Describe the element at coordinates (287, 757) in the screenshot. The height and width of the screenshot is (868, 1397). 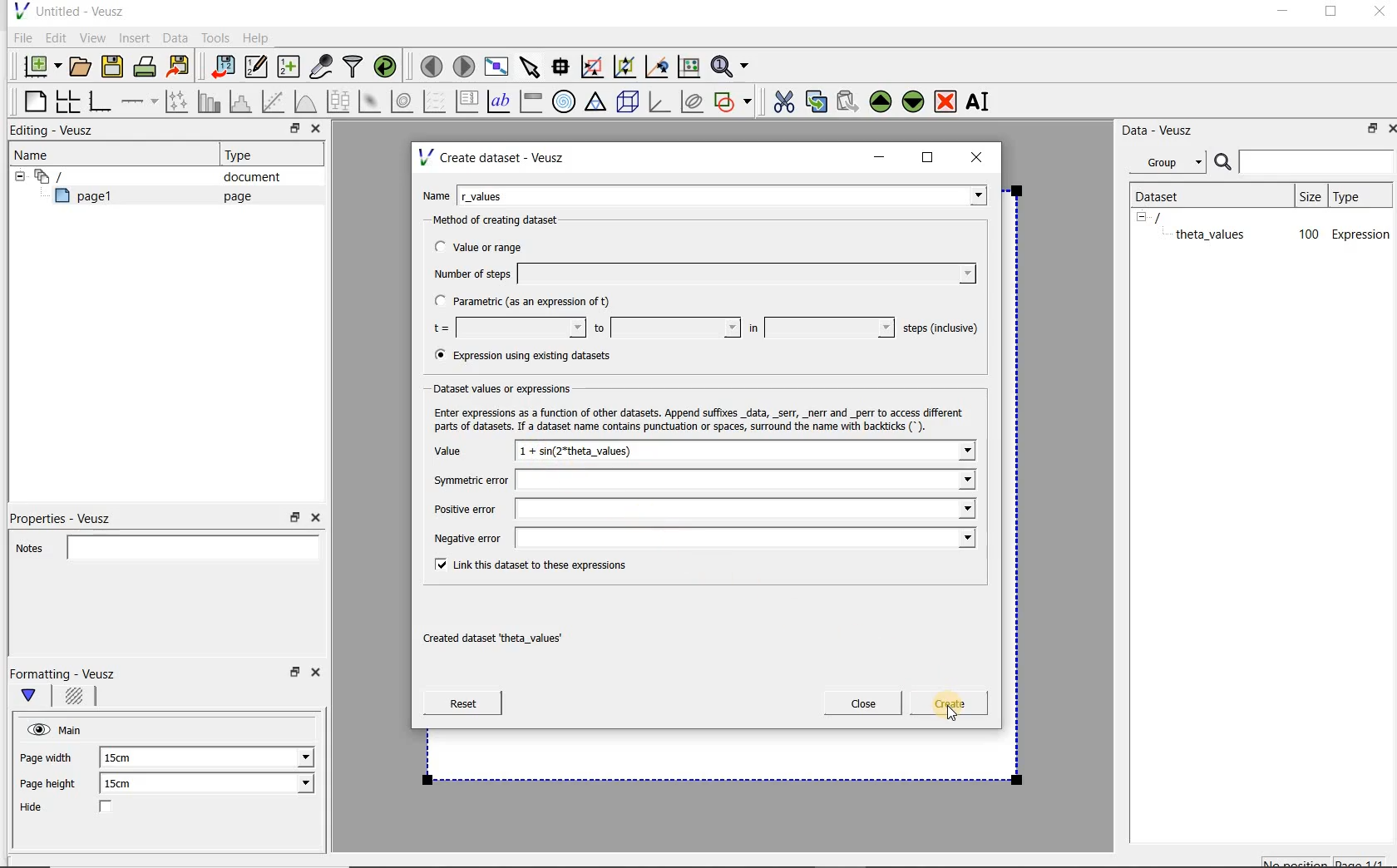
I see `Page width dropdown` at that location.